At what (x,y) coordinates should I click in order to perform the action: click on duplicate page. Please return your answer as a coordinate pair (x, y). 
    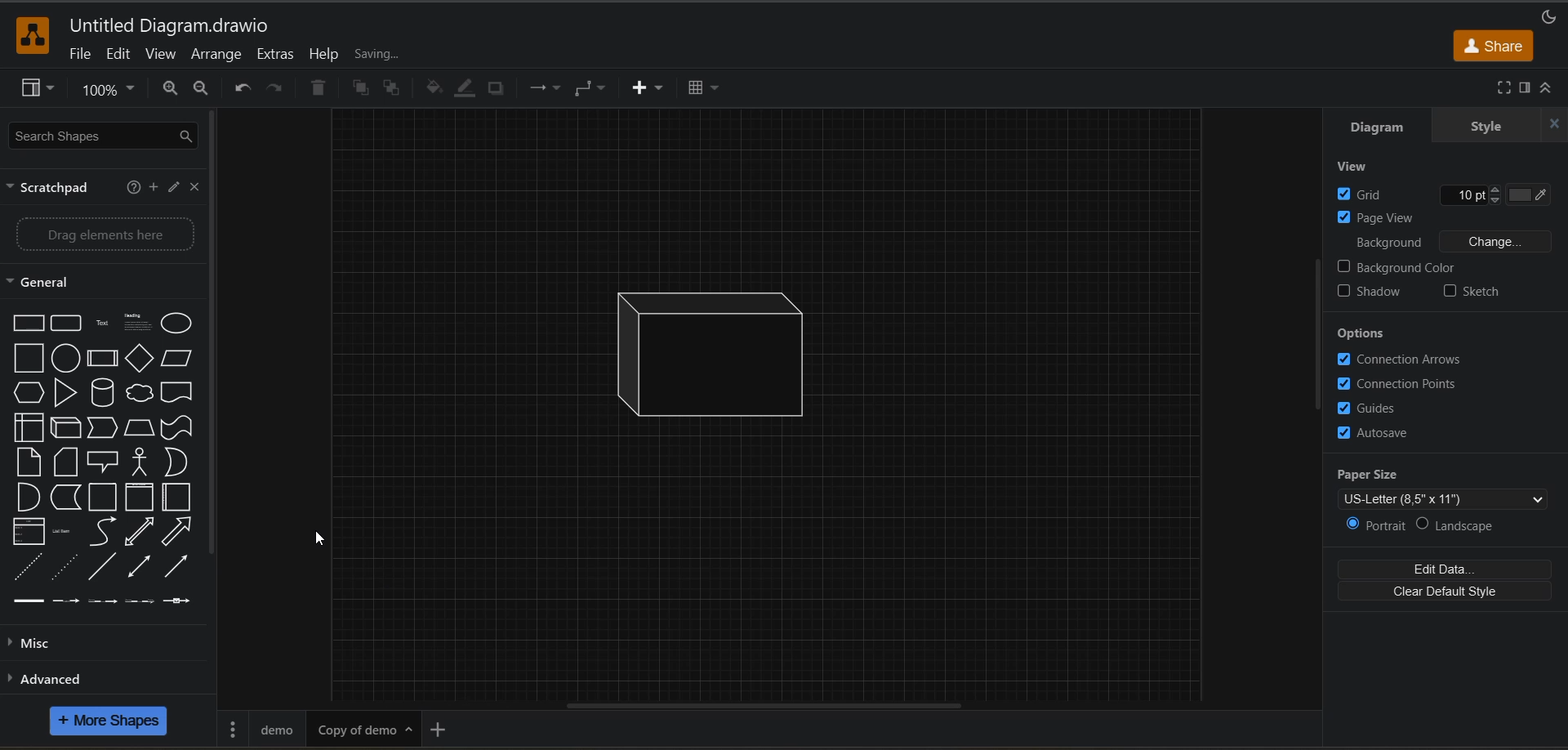
    Looking at the image, I should click on (363, 728).